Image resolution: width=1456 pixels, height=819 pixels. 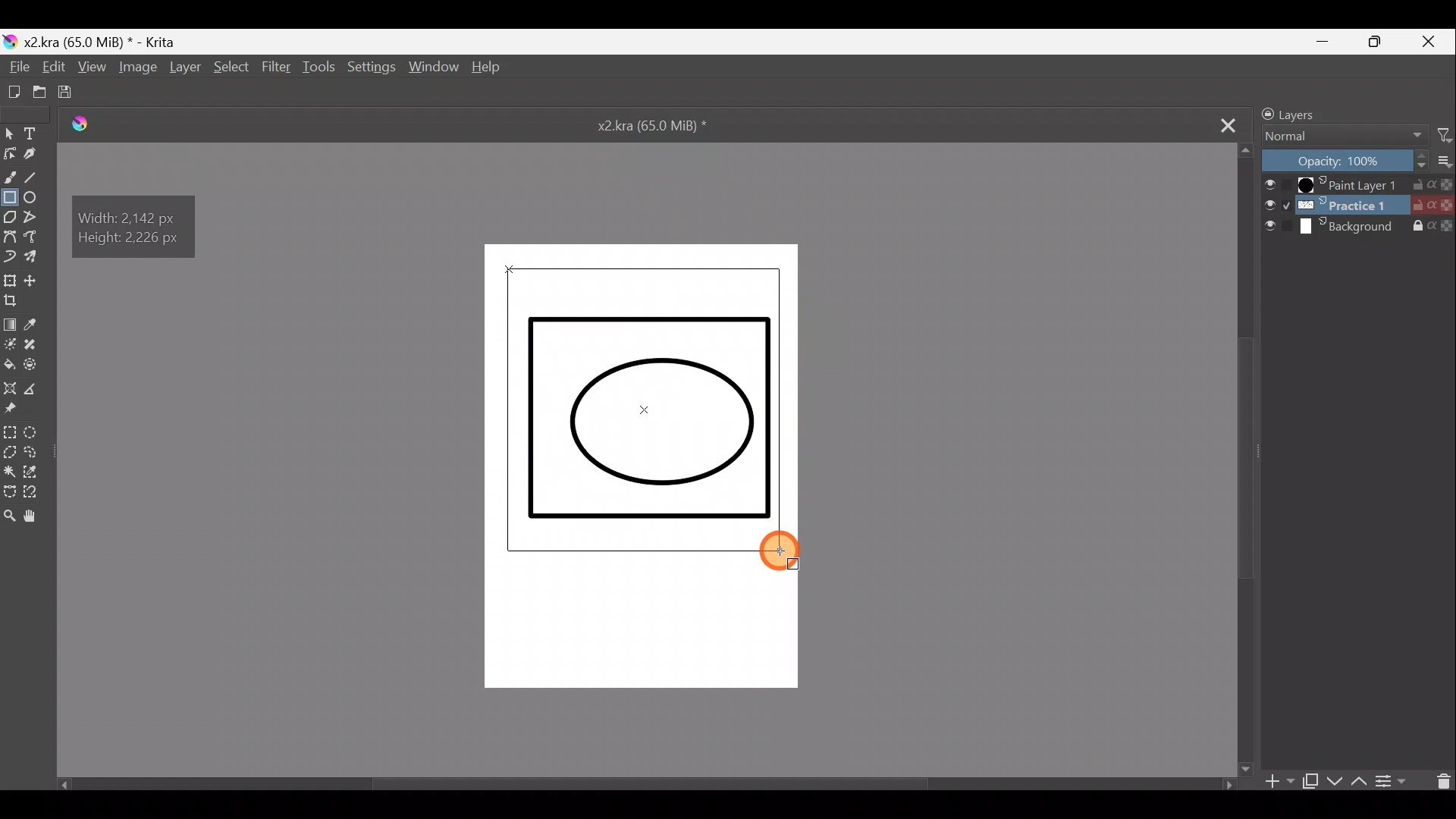 What do you see at coordinates (33, 278) in the screenshot?
I see `Move a layer` at bounding box center [33, 278].